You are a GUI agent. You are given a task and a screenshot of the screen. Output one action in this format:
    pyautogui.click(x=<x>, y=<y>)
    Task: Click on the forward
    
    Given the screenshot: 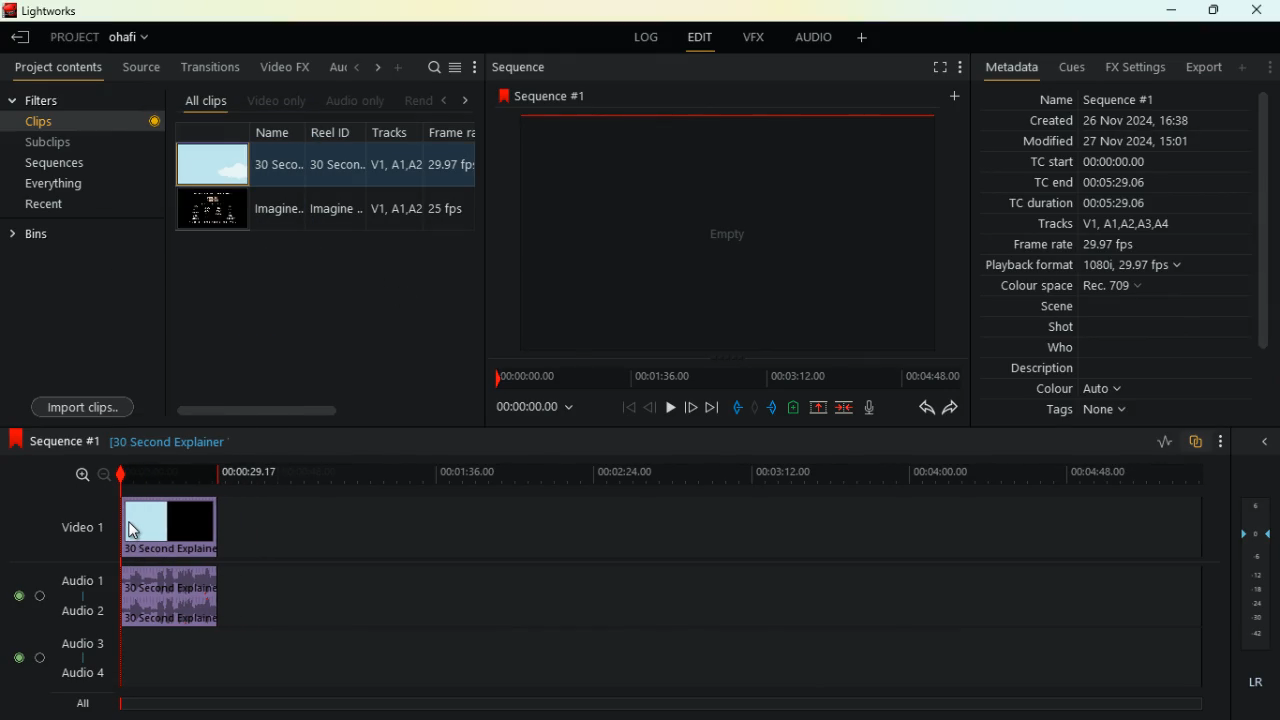 What is the action you would take?
    pyautogui.click(x=691, y=406)
    